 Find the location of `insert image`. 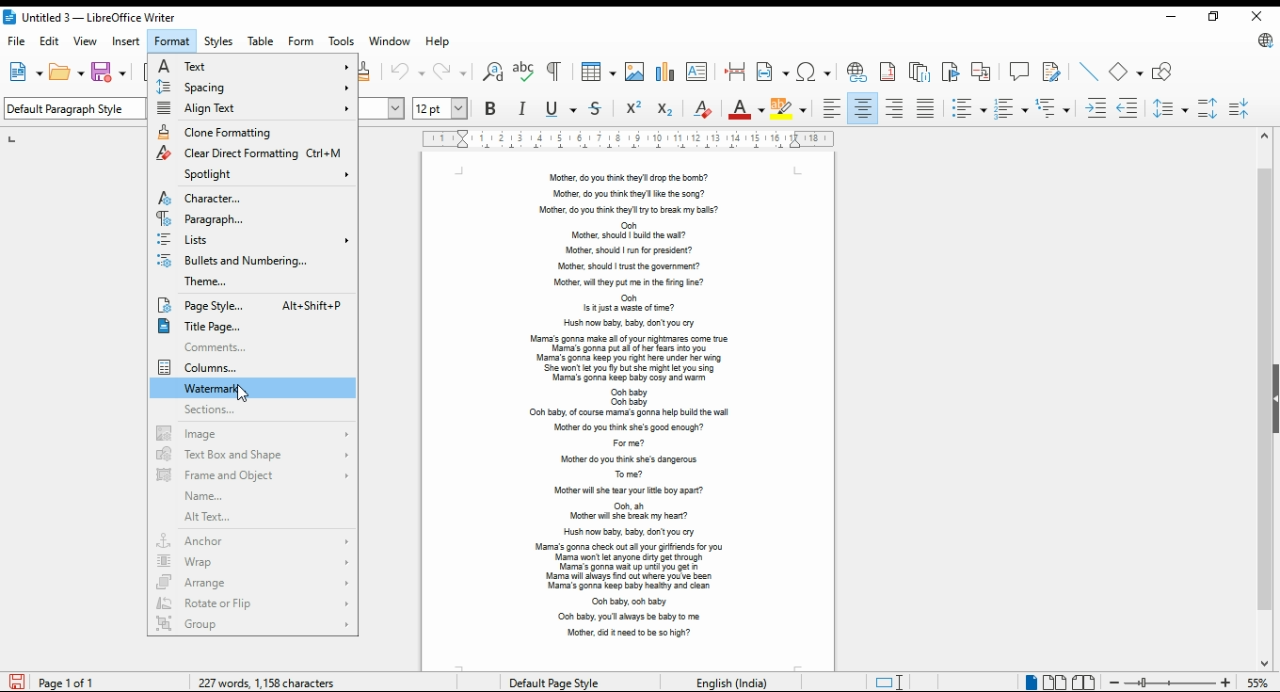

insert image is located at coordinates (636, 71).